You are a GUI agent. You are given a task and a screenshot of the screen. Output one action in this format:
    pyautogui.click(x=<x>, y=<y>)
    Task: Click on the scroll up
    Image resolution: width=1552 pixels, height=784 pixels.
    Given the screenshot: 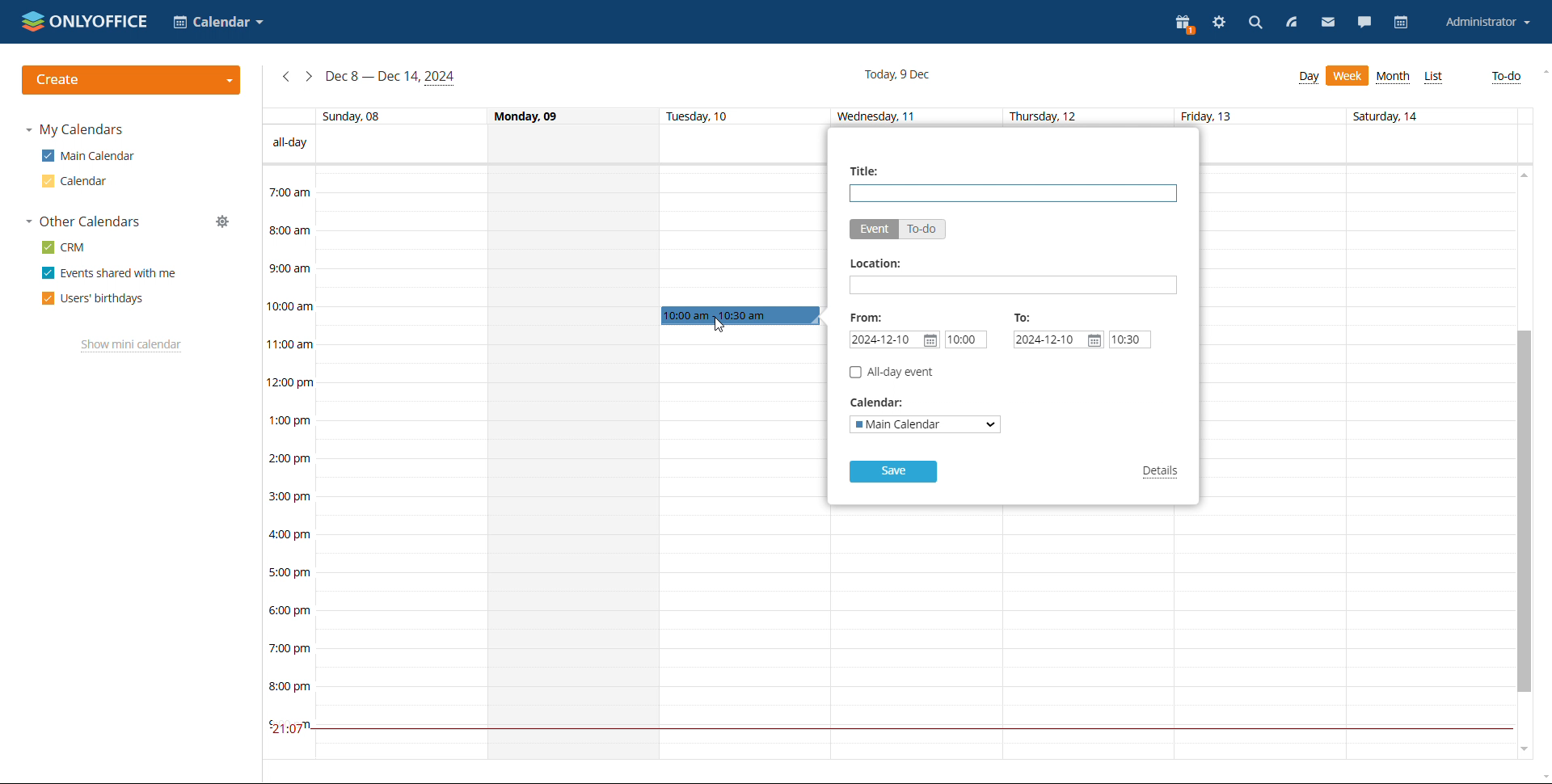 What is the action you would take?
    pyautogui.click(x=1522, y=174)
    